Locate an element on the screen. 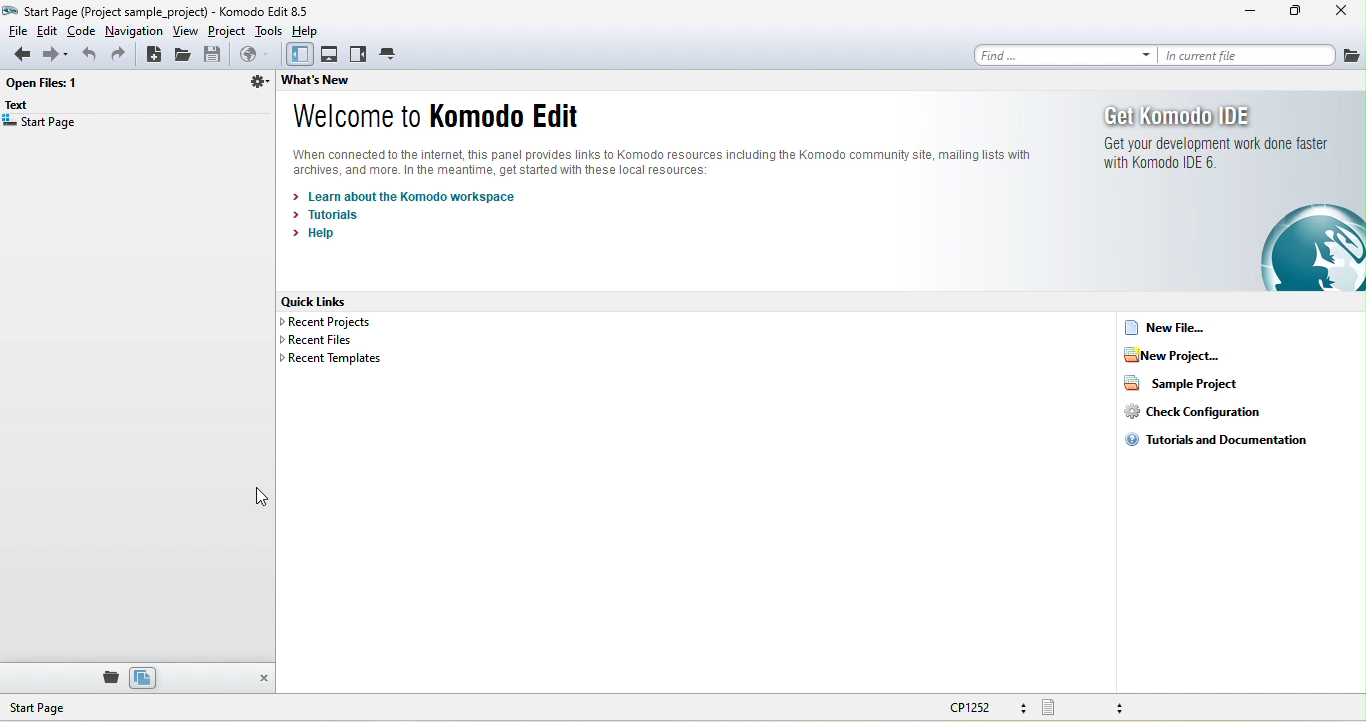  recent projects is located at coordinates (338, 323).